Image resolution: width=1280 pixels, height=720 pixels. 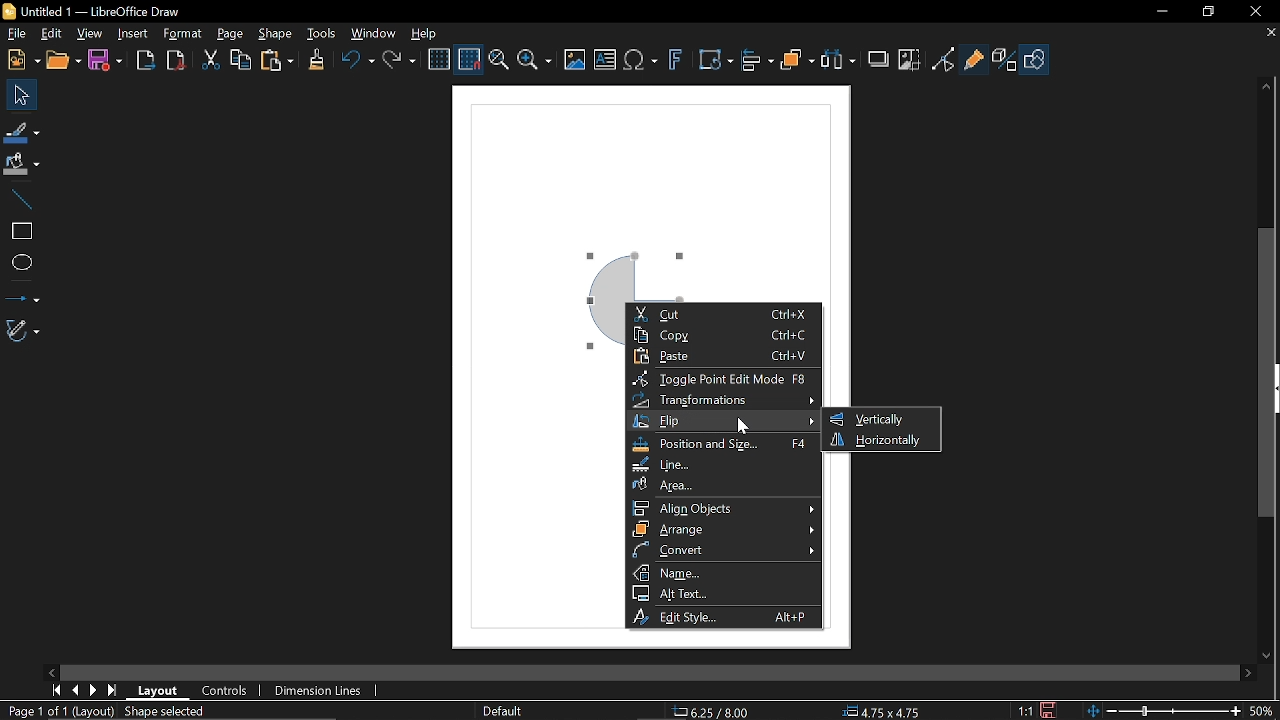 I want to click on Dimension lines, so click(x=326, y=689).